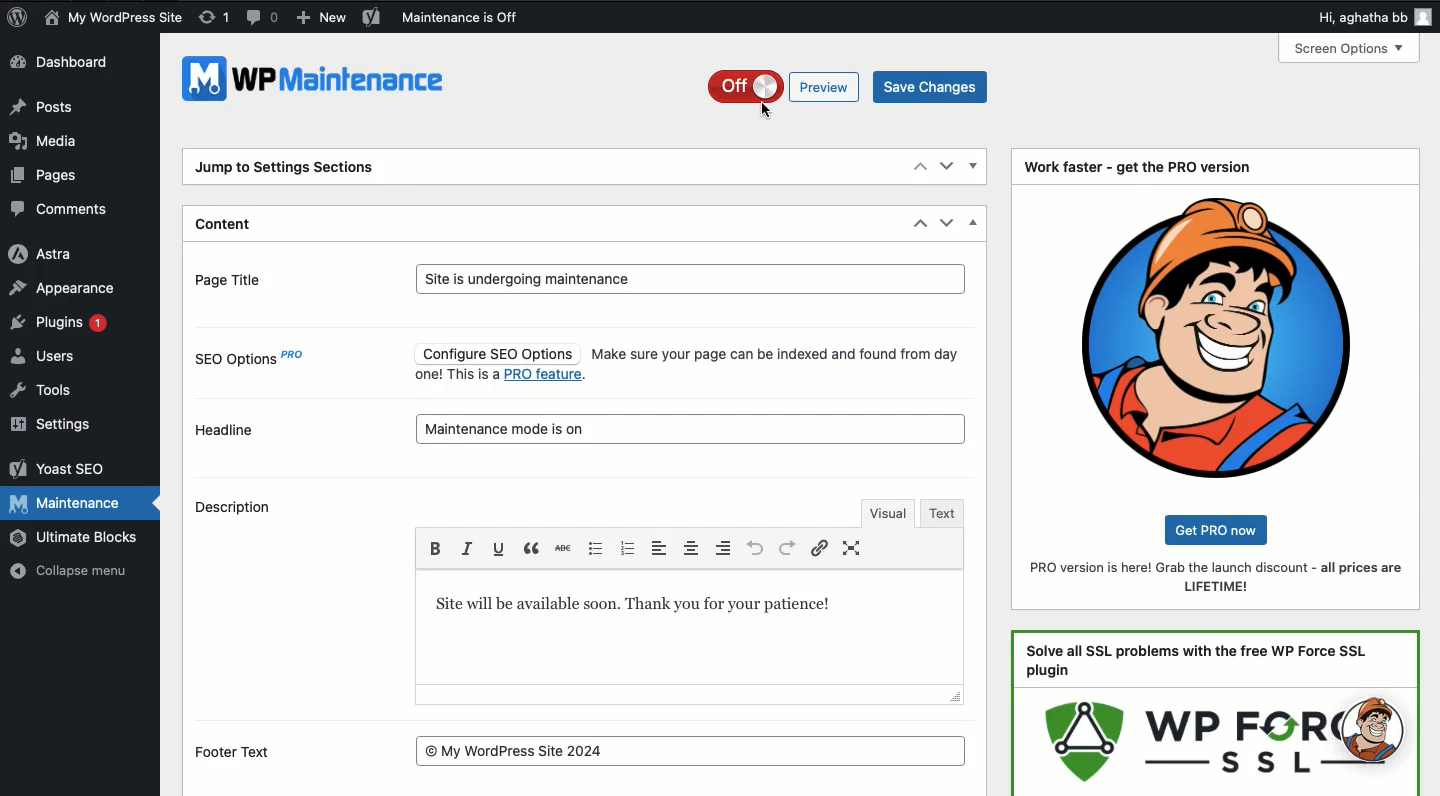 The height and width of the screenshot is (796, 1440). I want to click on pro feature, so click(546, 376).